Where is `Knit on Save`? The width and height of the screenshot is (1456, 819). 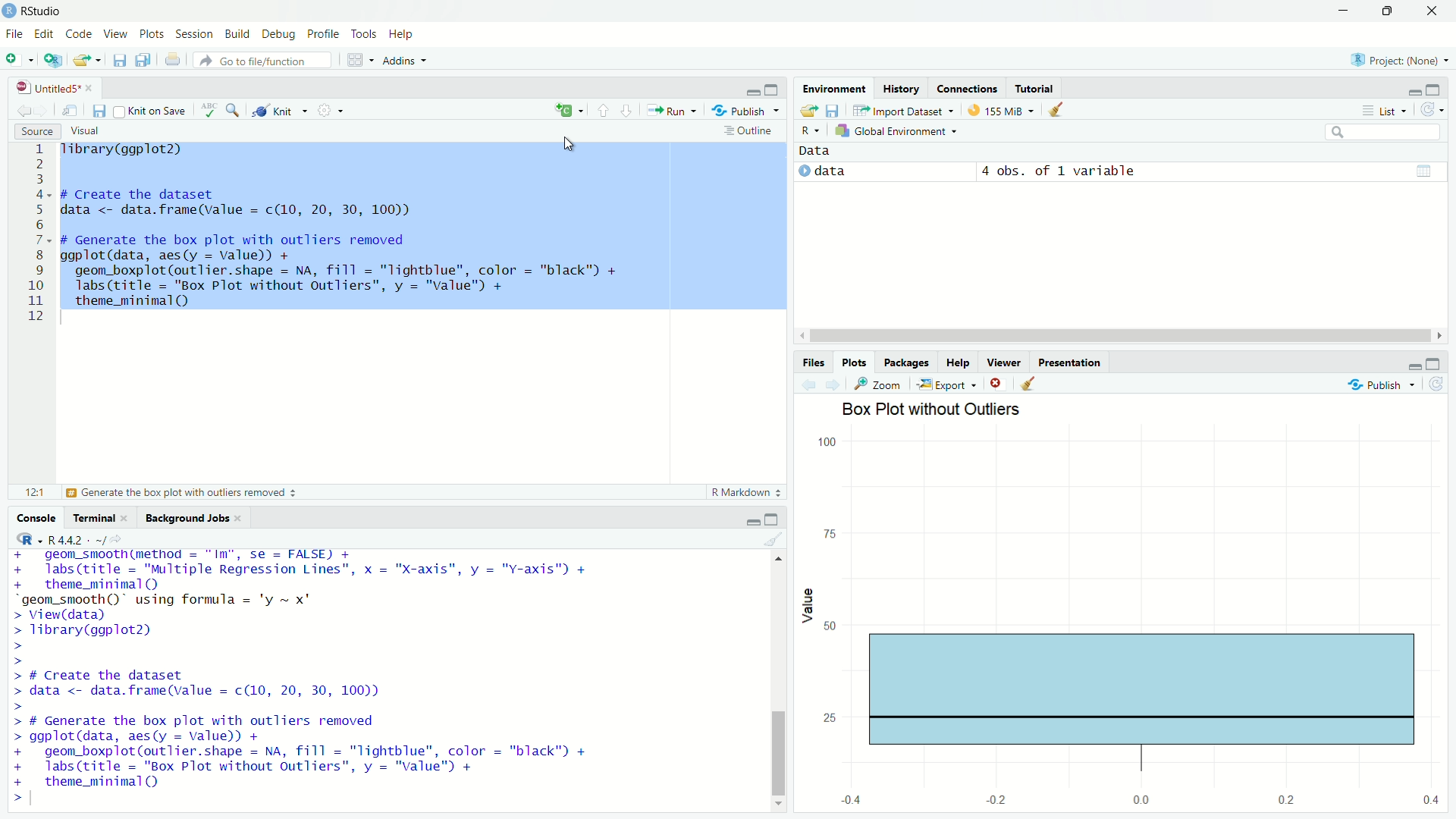 Knit on Save is located at coordinates (149, 112).